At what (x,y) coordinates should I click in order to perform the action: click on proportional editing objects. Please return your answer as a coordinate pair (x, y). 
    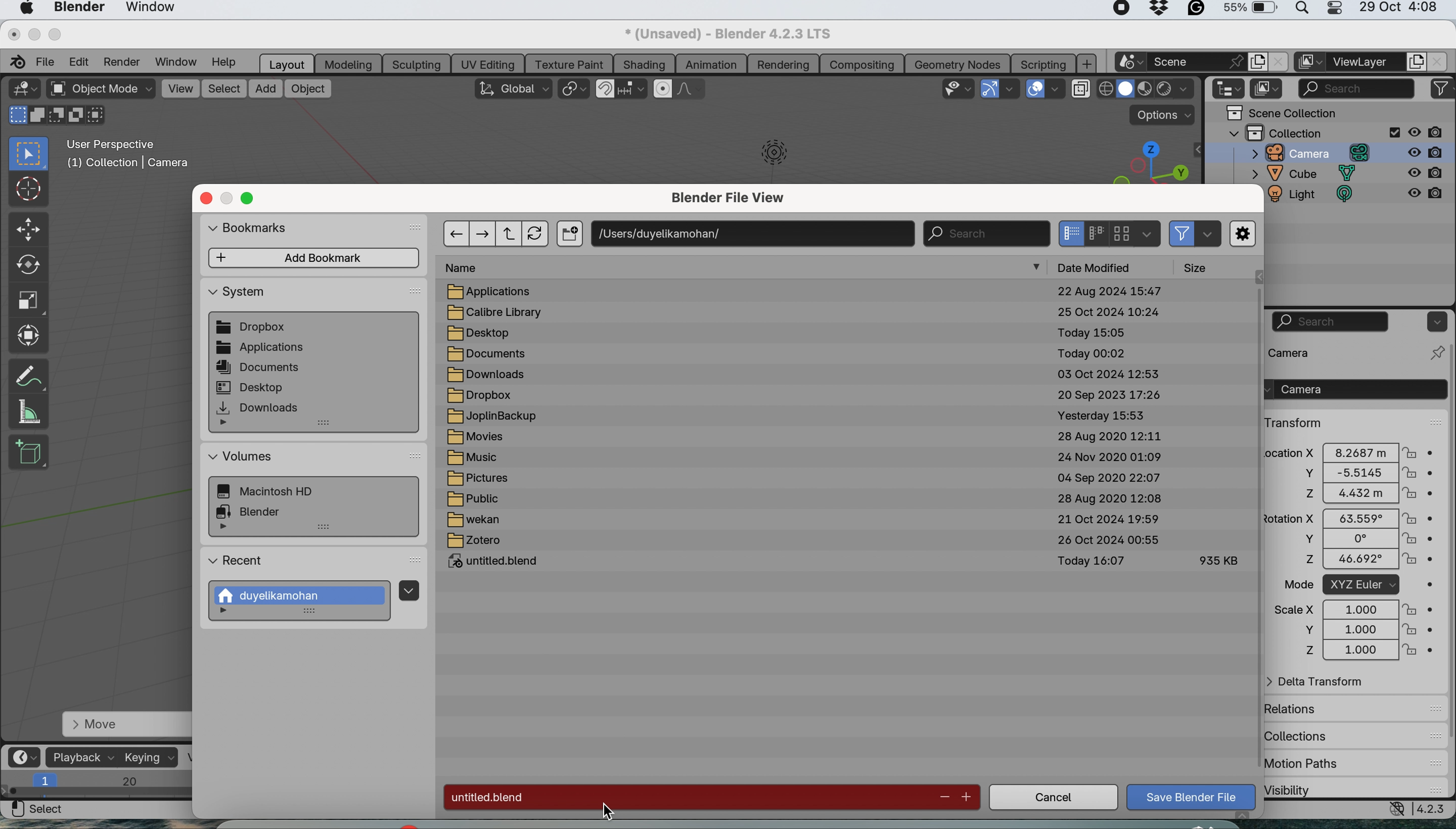
    Looking at the image, I should click on (664, 89).